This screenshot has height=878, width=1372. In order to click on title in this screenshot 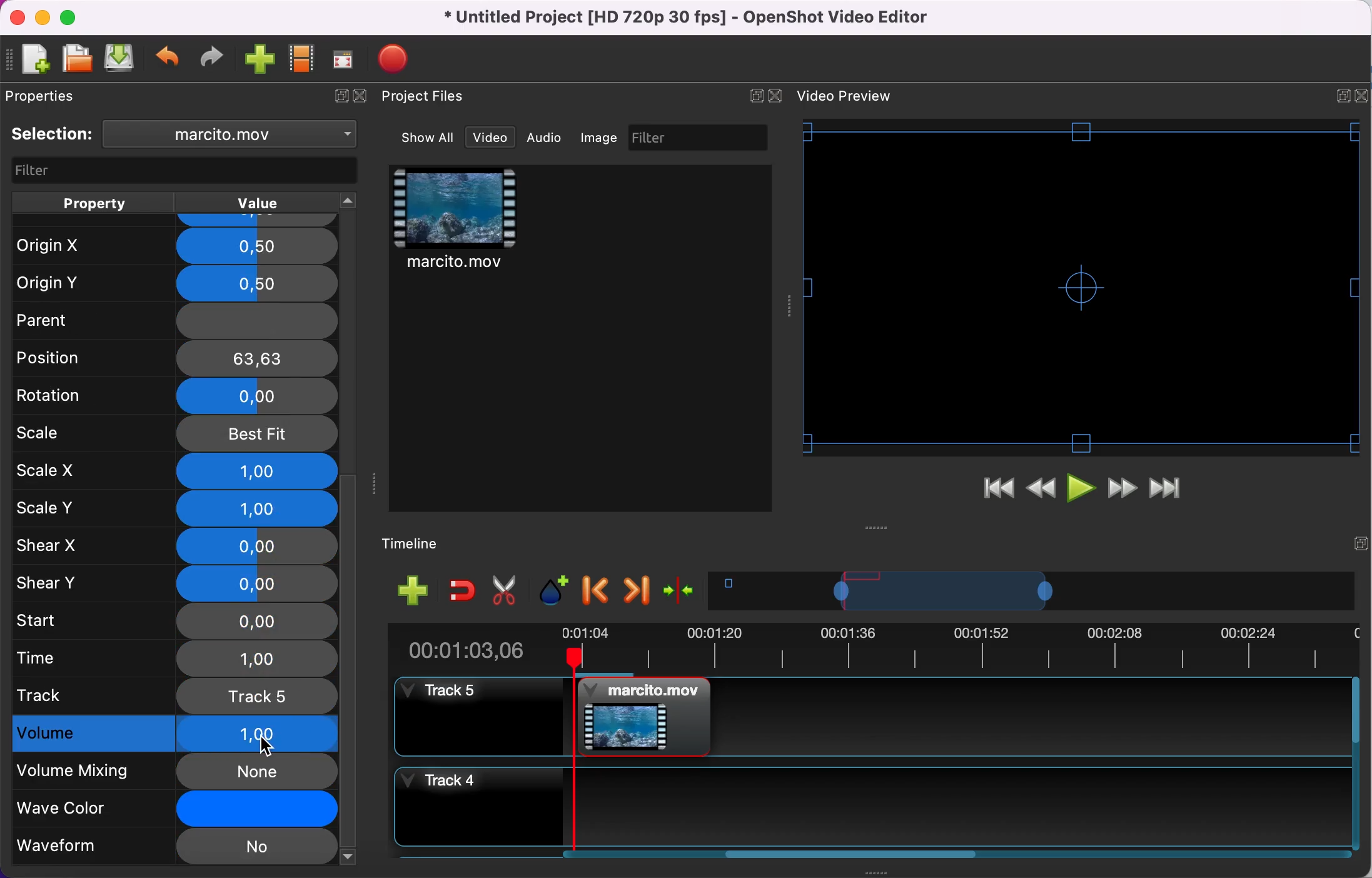, I will do `click(690, 18)`.